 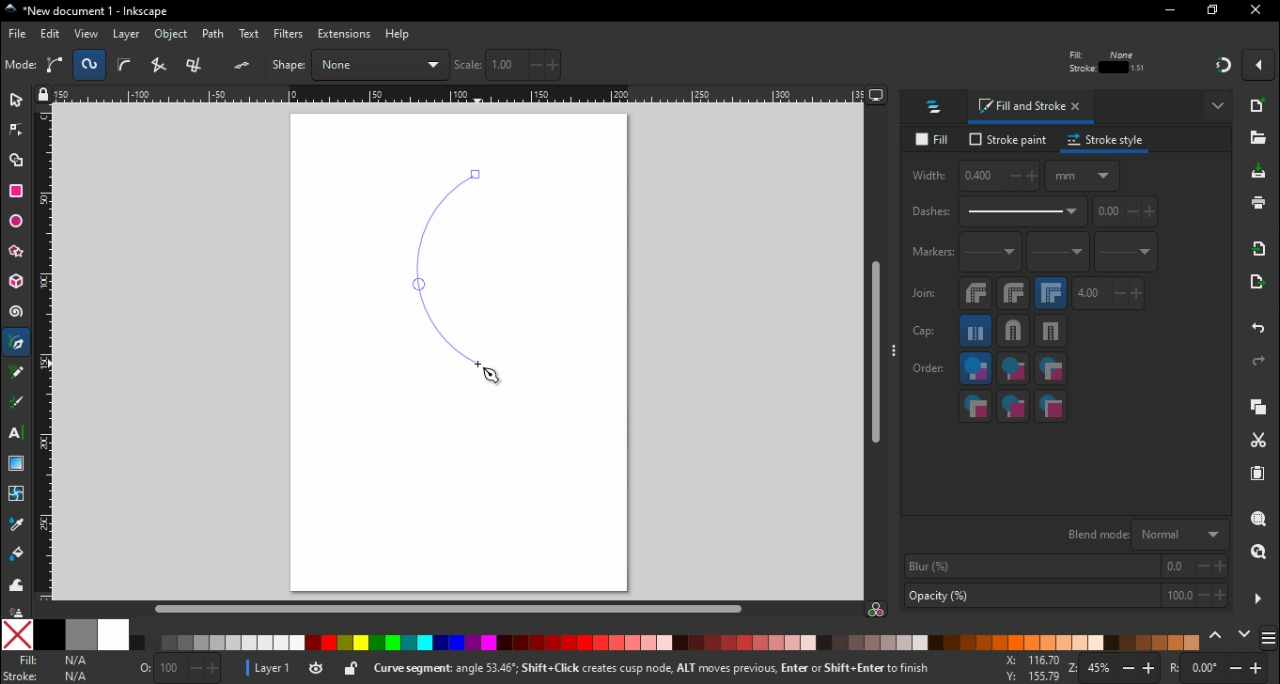 What do you see at coordinates (1053, 296) in the screenshot?
I see `miter` at bounding box center [1053, 296].